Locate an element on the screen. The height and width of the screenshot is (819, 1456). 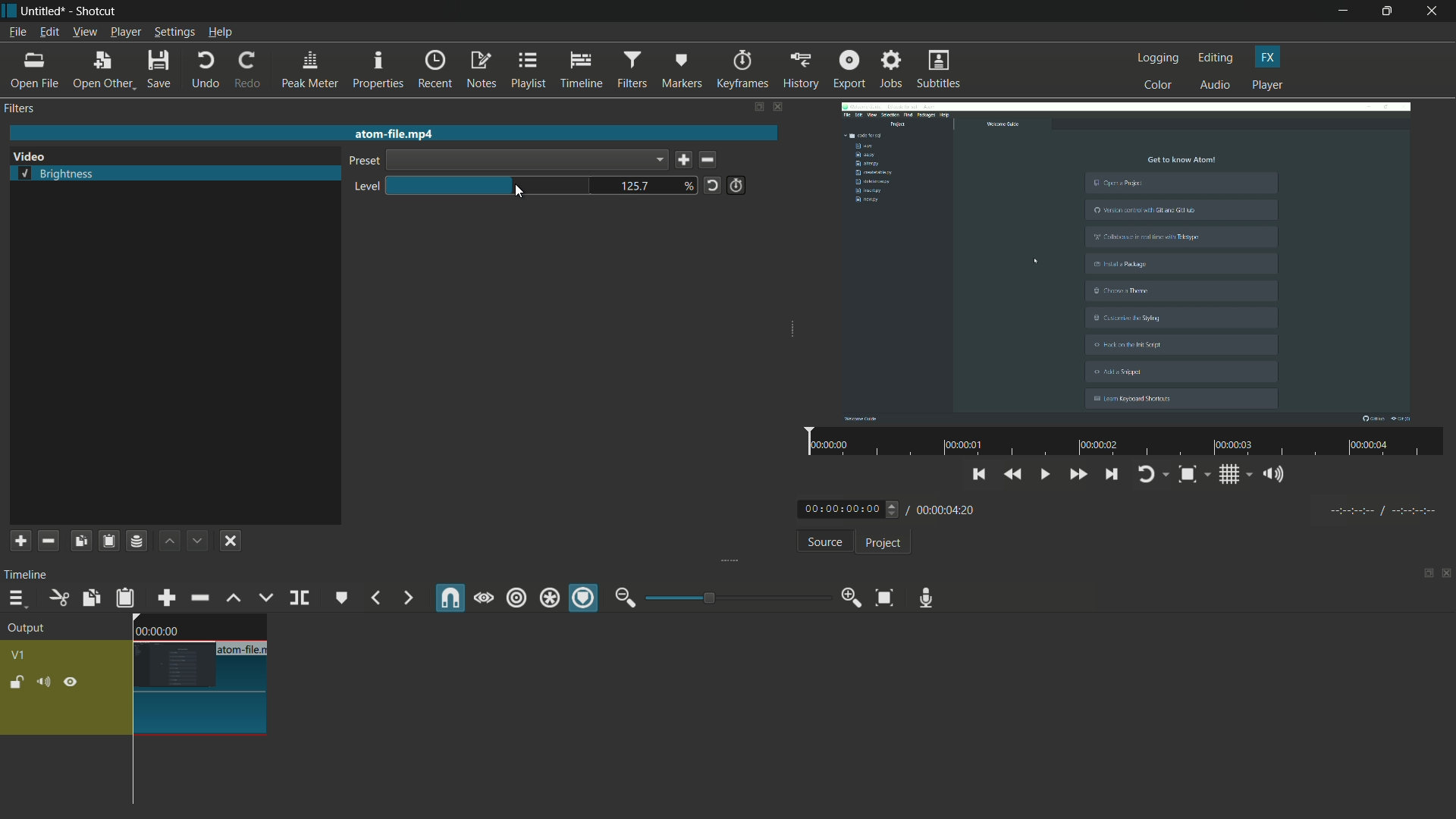
00:00:00:00 (current time) is located at coordinates (850, 508).